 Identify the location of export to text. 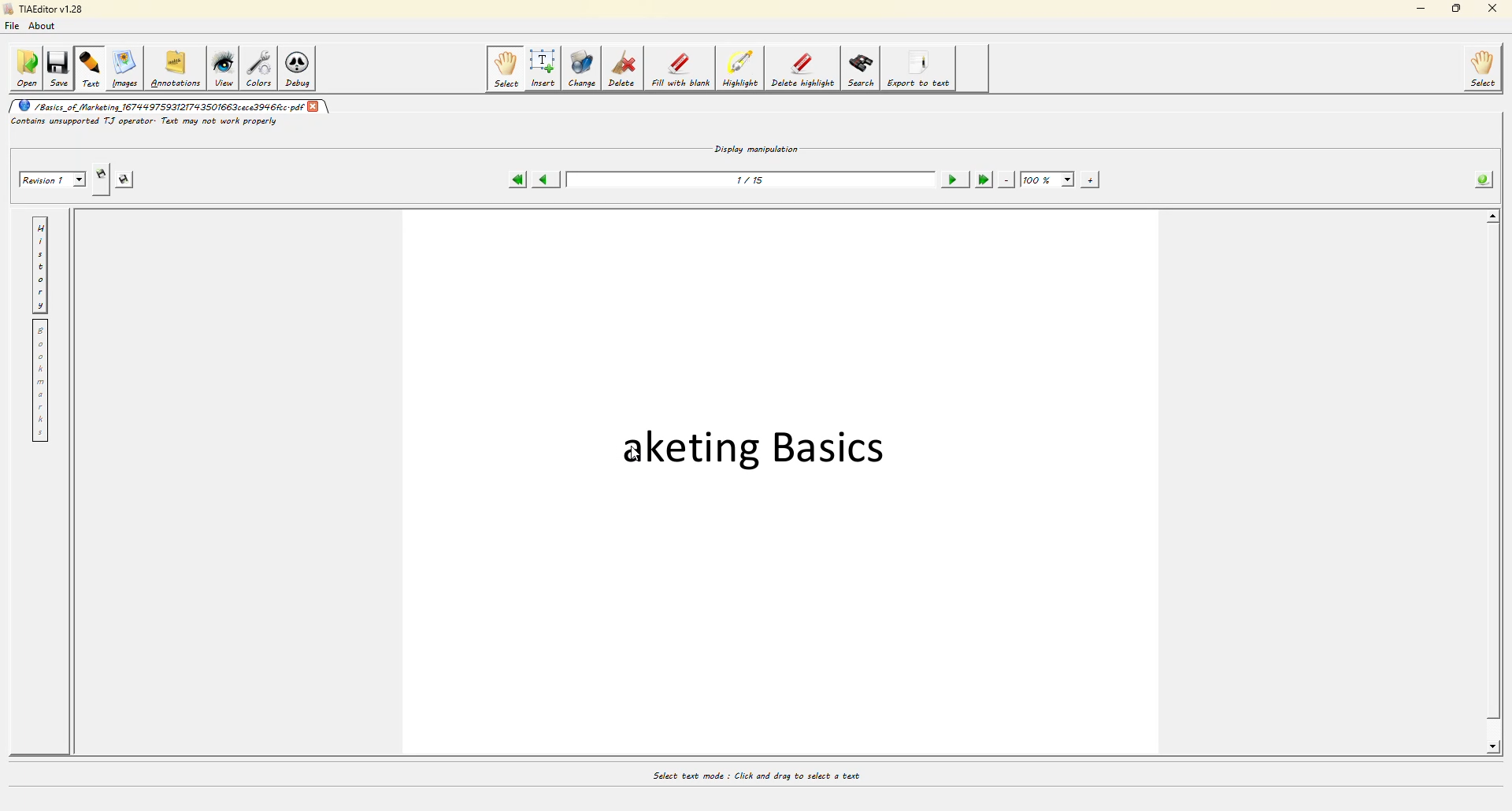
(923, 70).